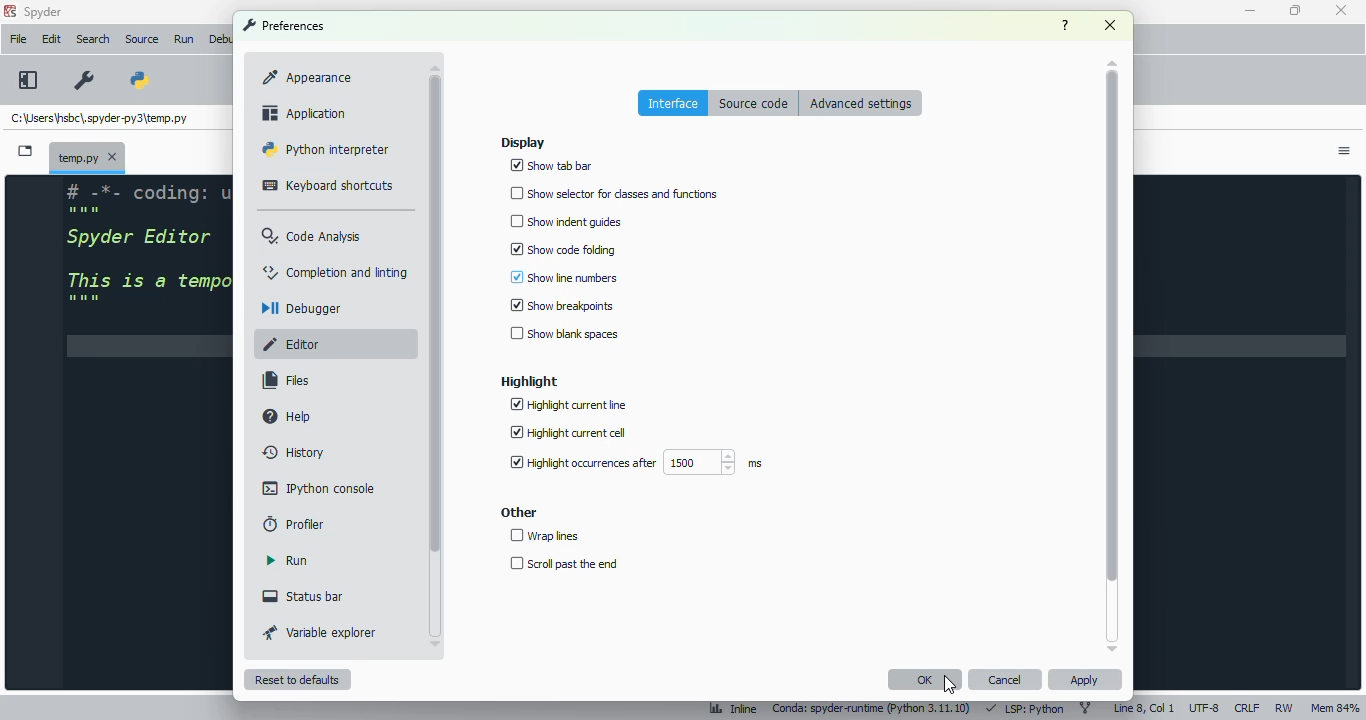 The image size is (1366, 720). Describe the element at coordinates (100, 119) in the screenshot. I see `temporary file` at that location.